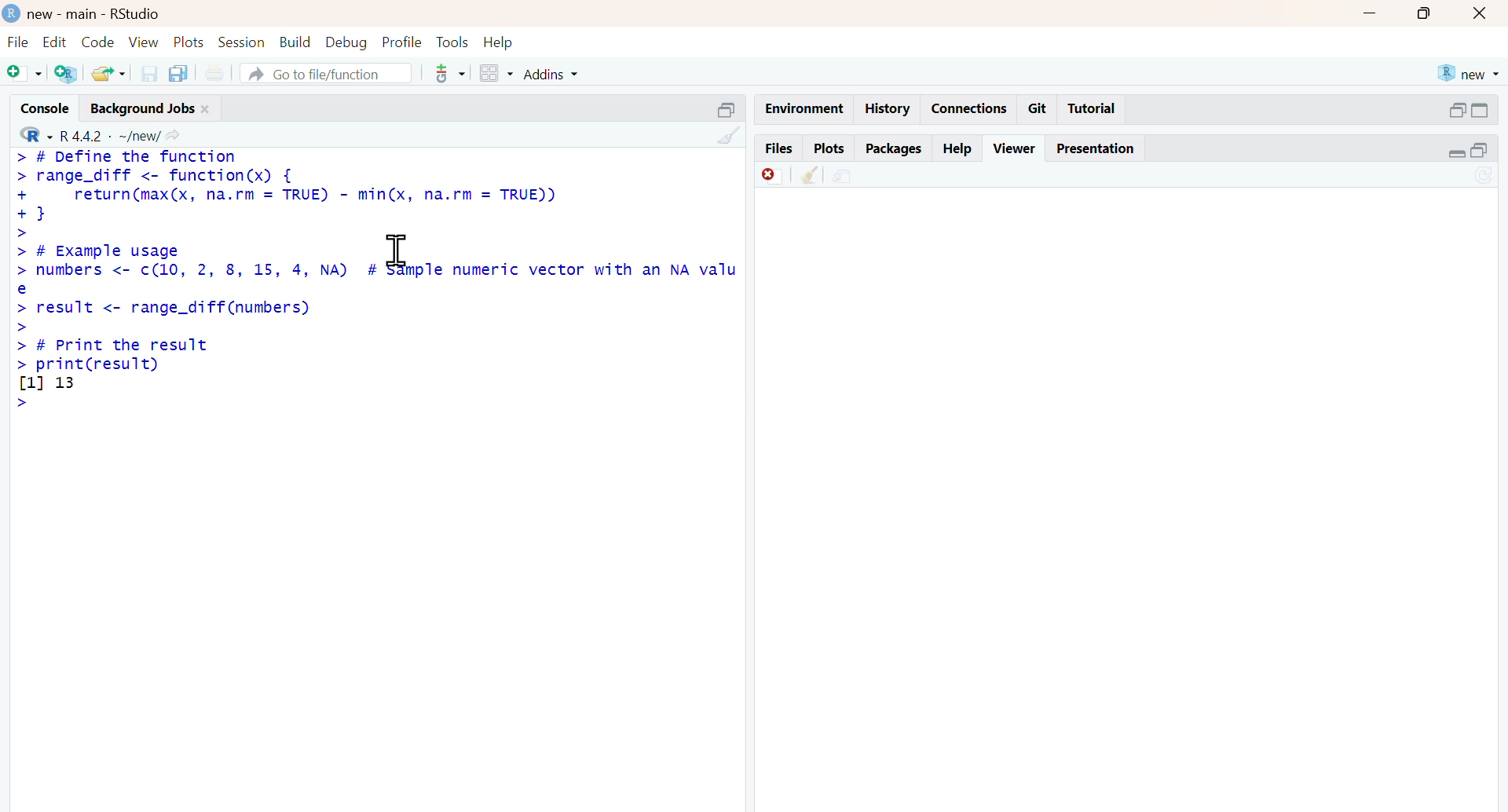 The width and height of the screenshot is (1508, 812). What do you see at coordinates (88, 364) in the screenshot?
I see `> print(result)` at bounding box center [88, 364].